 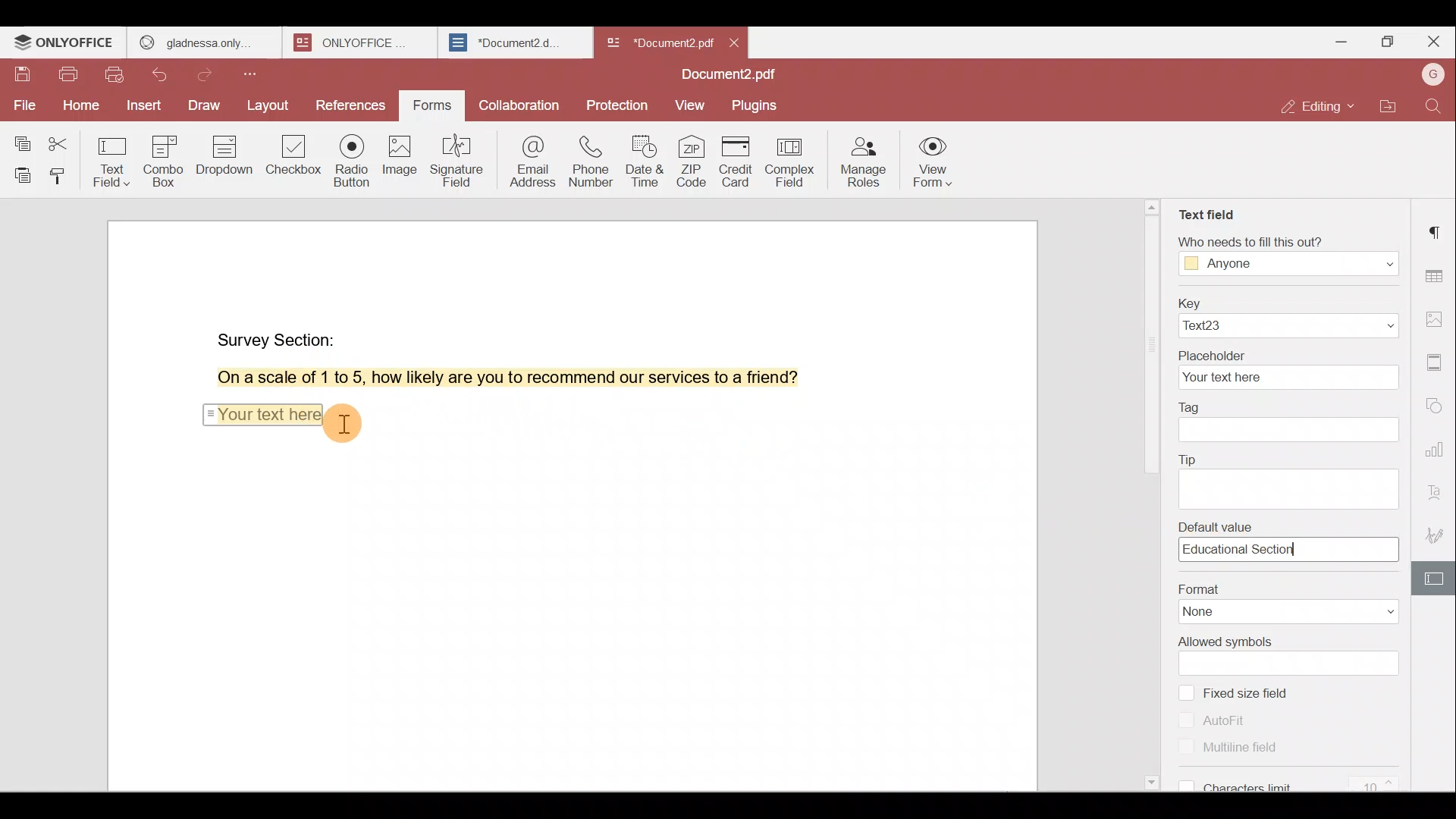 I want to click on Undo, so click(x=168, y=77).